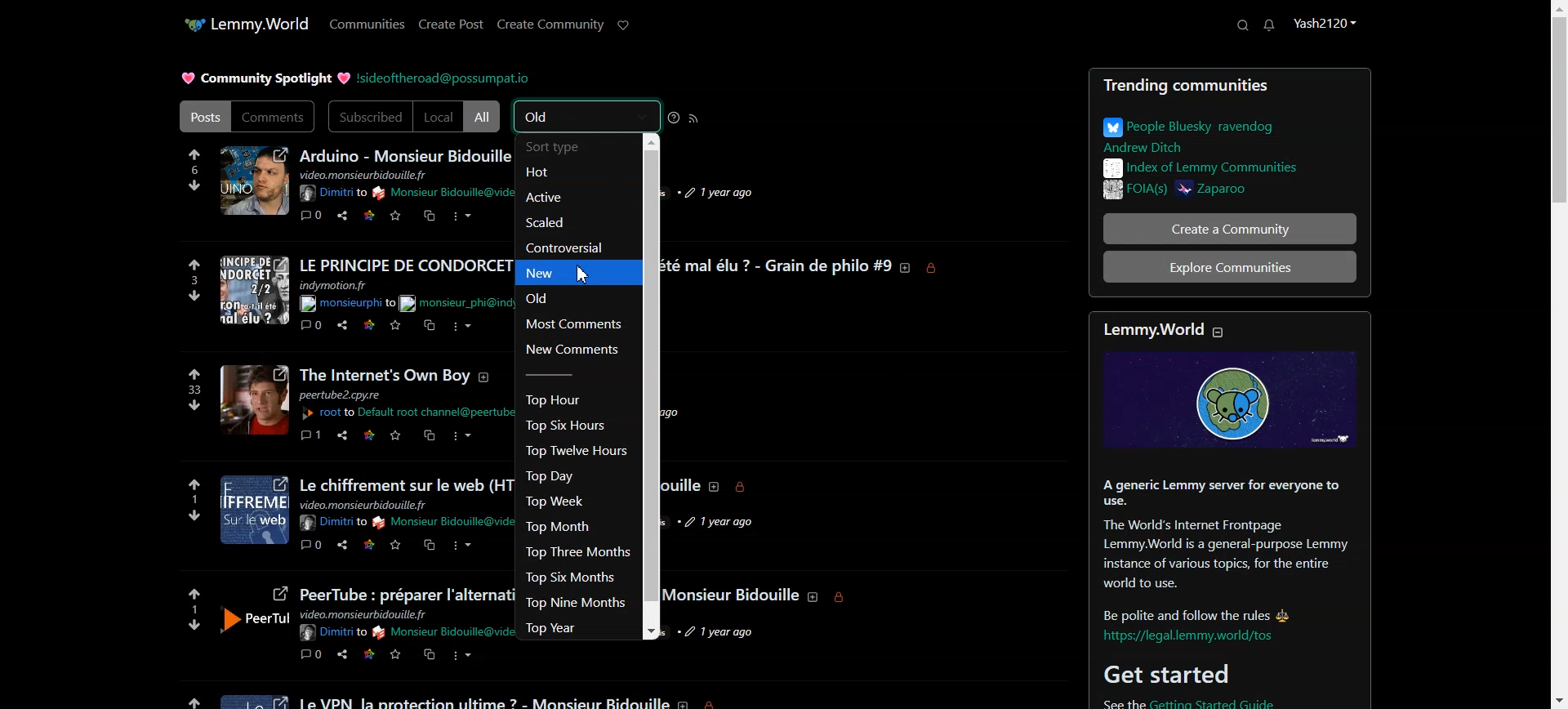  Describe the element at coordinates (564, 426) in the screenshot. I see ` Top Six Hour` at that location.